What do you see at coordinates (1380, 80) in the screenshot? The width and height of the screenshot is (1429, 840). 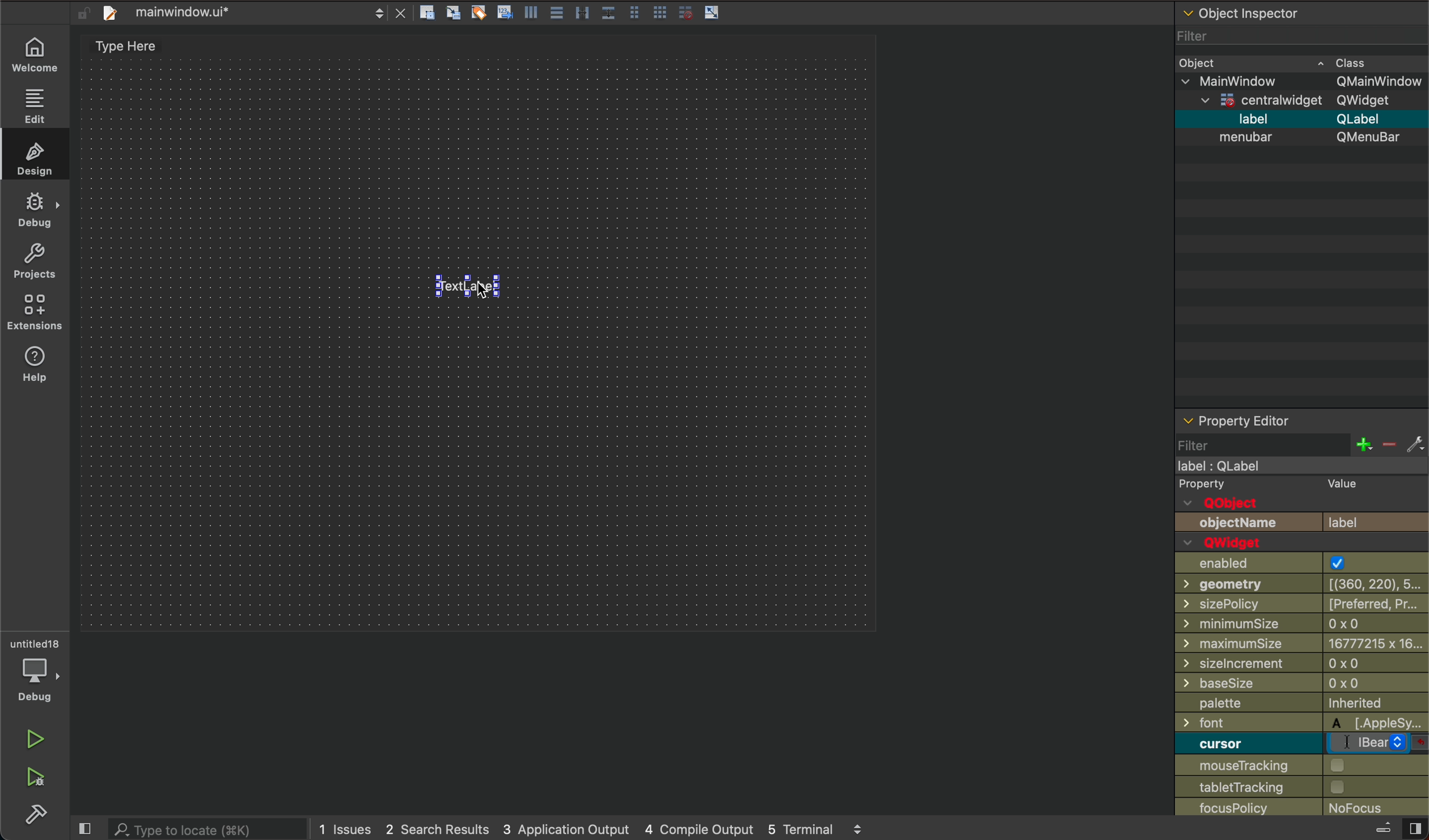 I see `Qmainwindow` at bounding box center [1380, 80].